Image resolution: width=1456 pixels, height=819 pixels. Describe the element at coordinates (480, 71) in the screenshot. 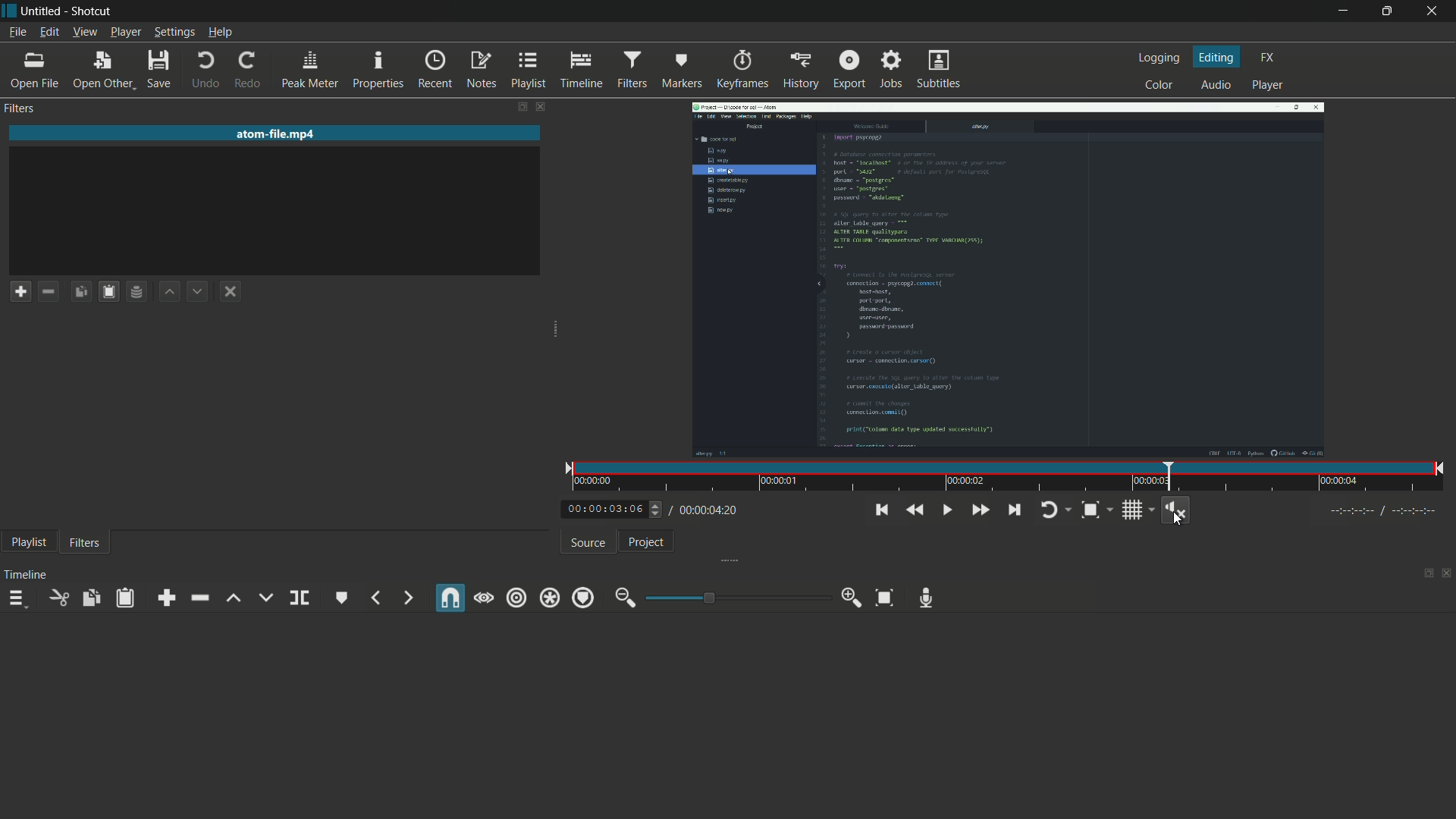

I see `notes` at that location.